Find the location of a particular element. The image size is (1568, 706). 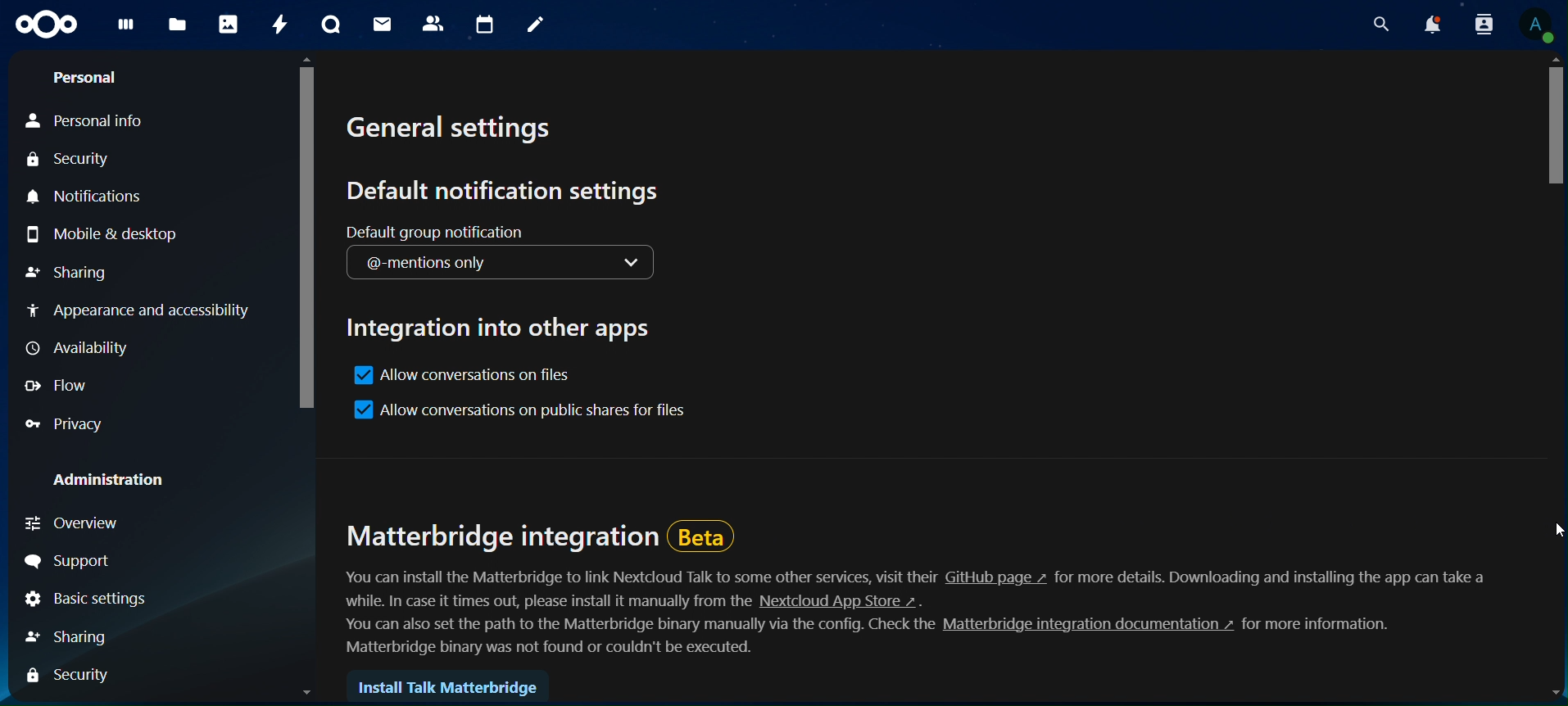

Personal is located at coordinates (88, 78).